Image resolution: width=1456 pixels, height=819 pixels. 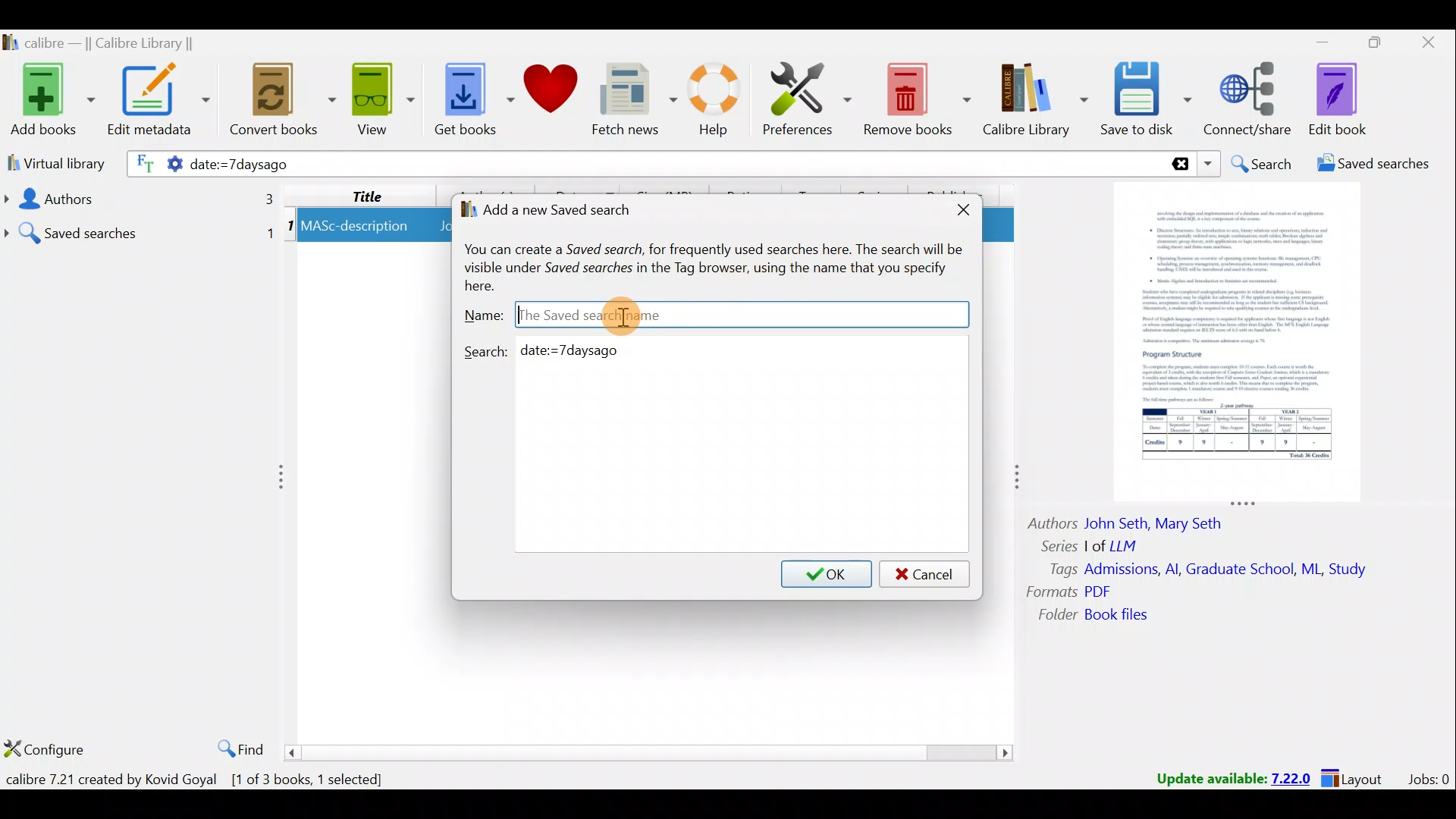 What do you see at coordinates (237, 746) in the screenshot?
I see `Find` at bounding box center [237, 746].